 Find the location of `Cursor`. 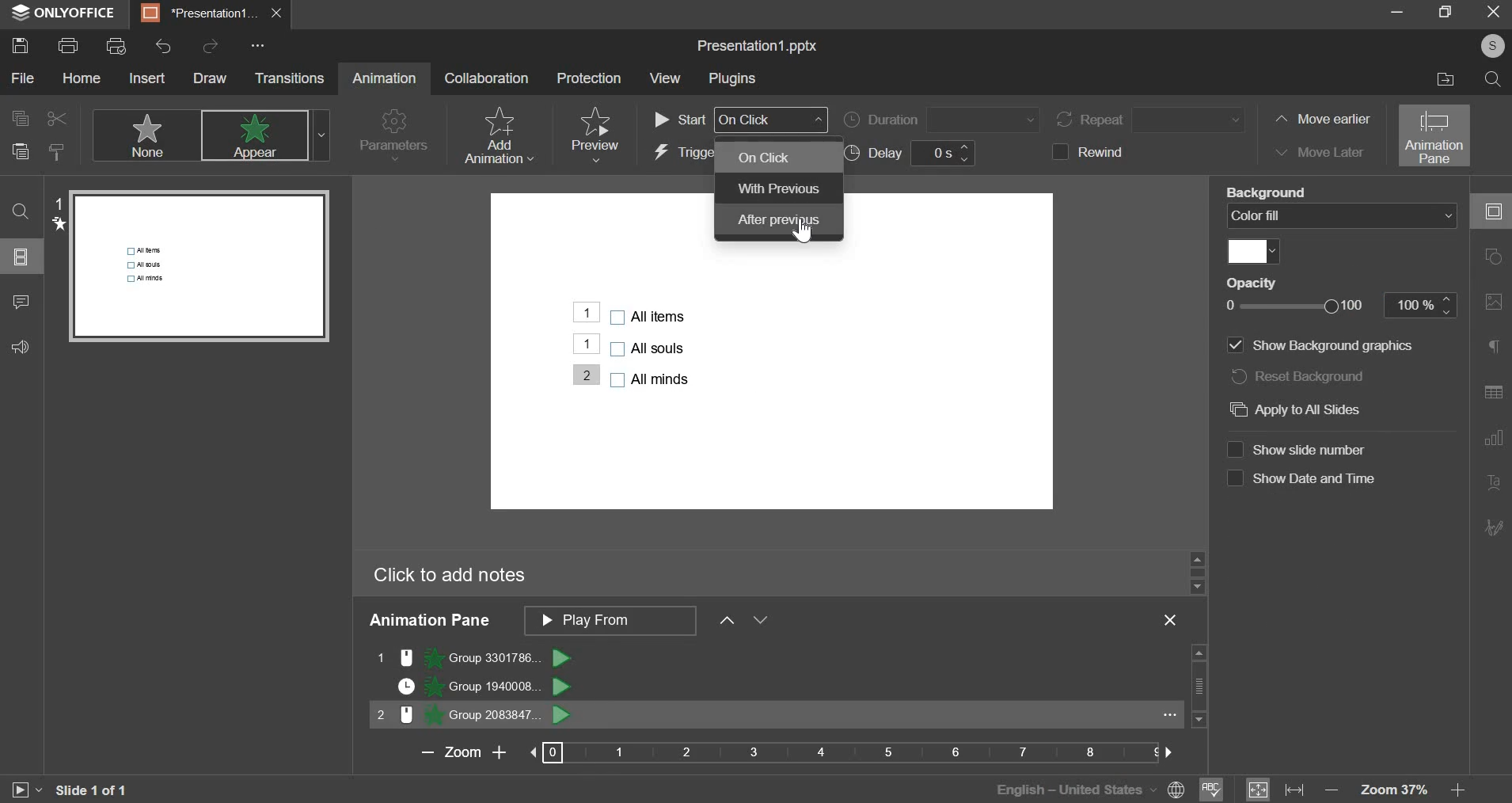

Cursor is located at coordinates (805, 230).